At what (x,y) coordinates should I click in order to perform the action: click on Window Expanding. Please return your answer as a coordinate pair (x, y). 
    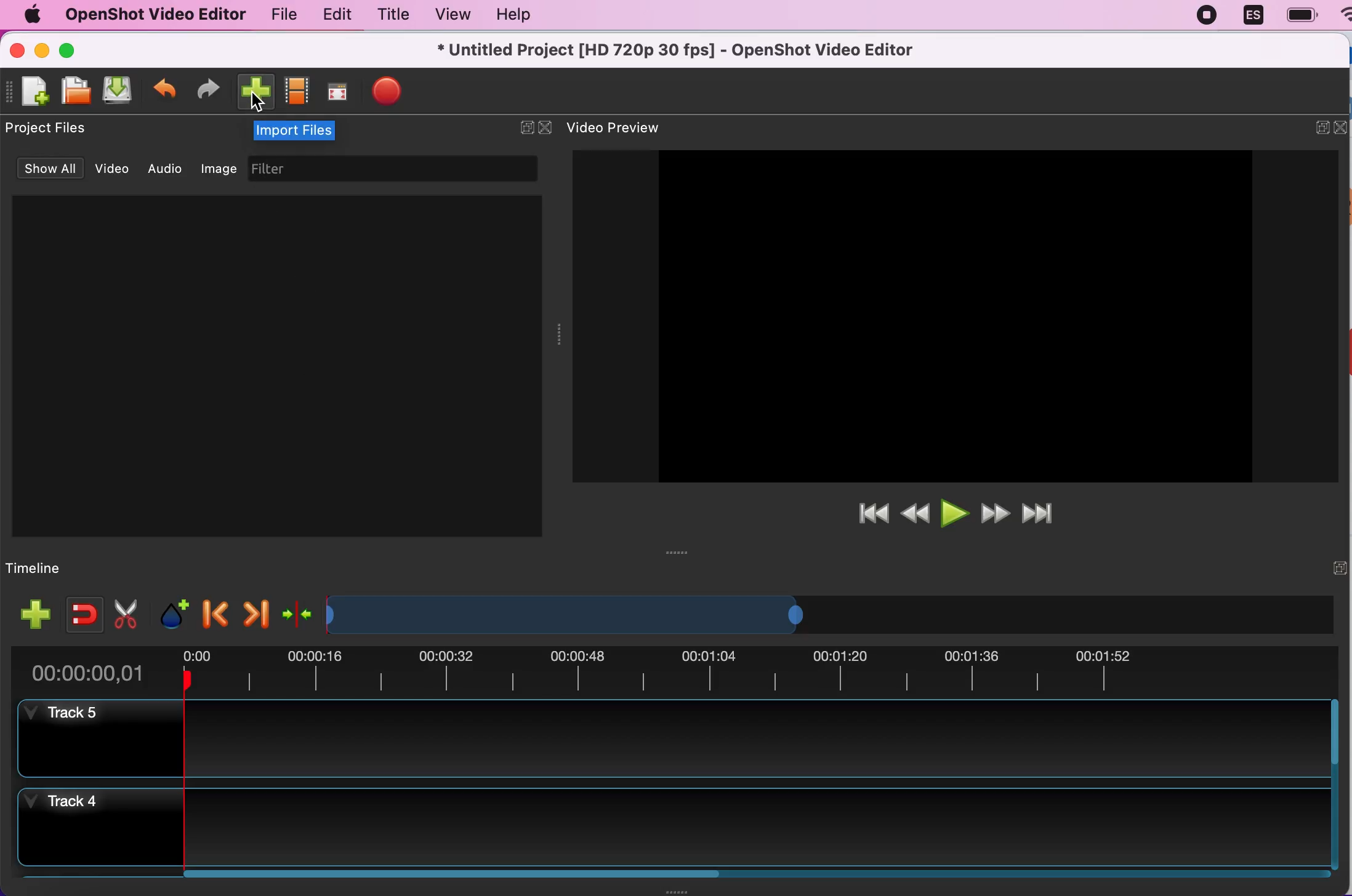
    Looking at the image, I should click on (677, 551).